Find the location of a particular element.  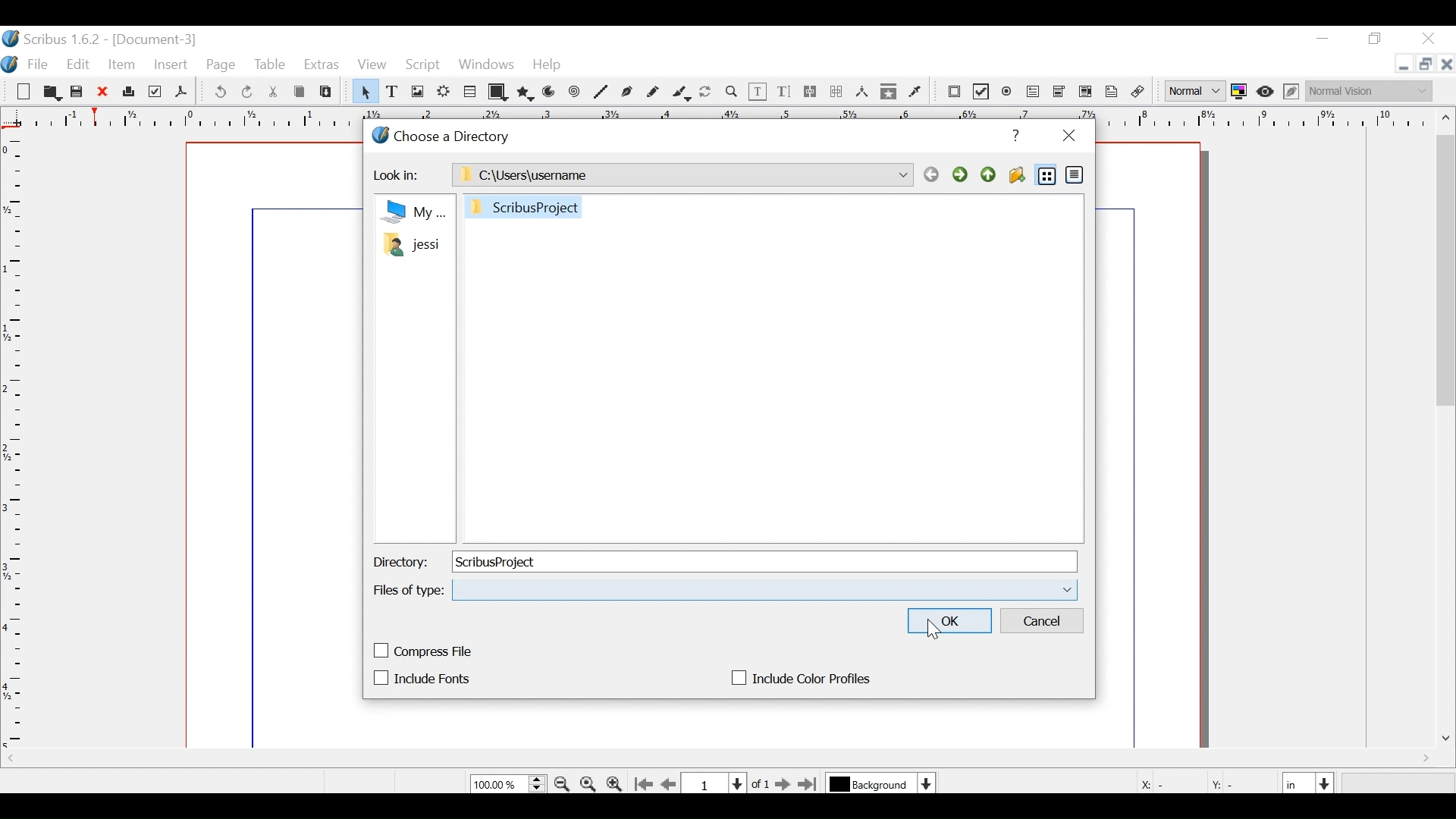

Forward is located at coordinates (962, 174).